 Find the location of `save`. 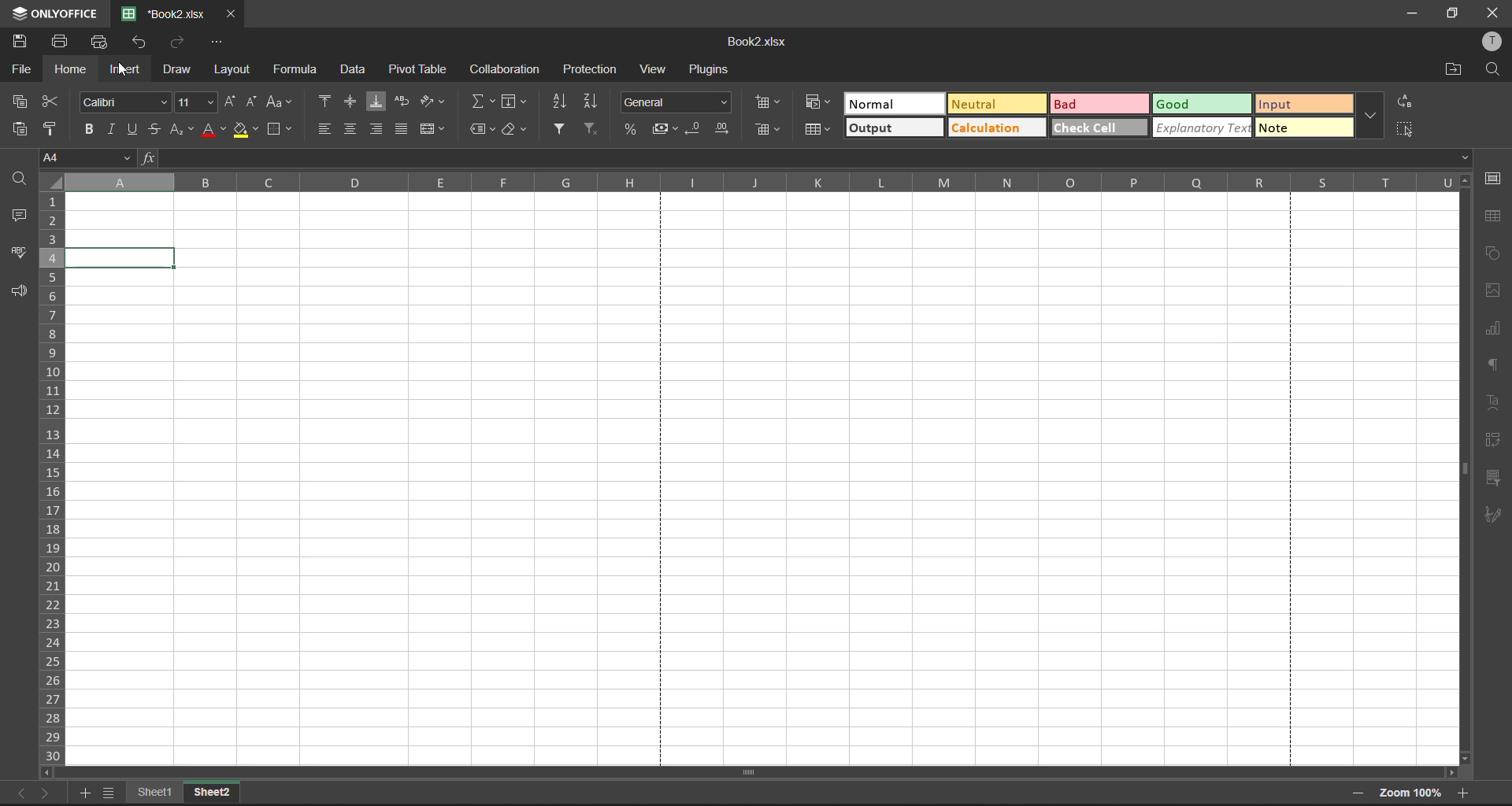

save is located at coordinates (23, 42).